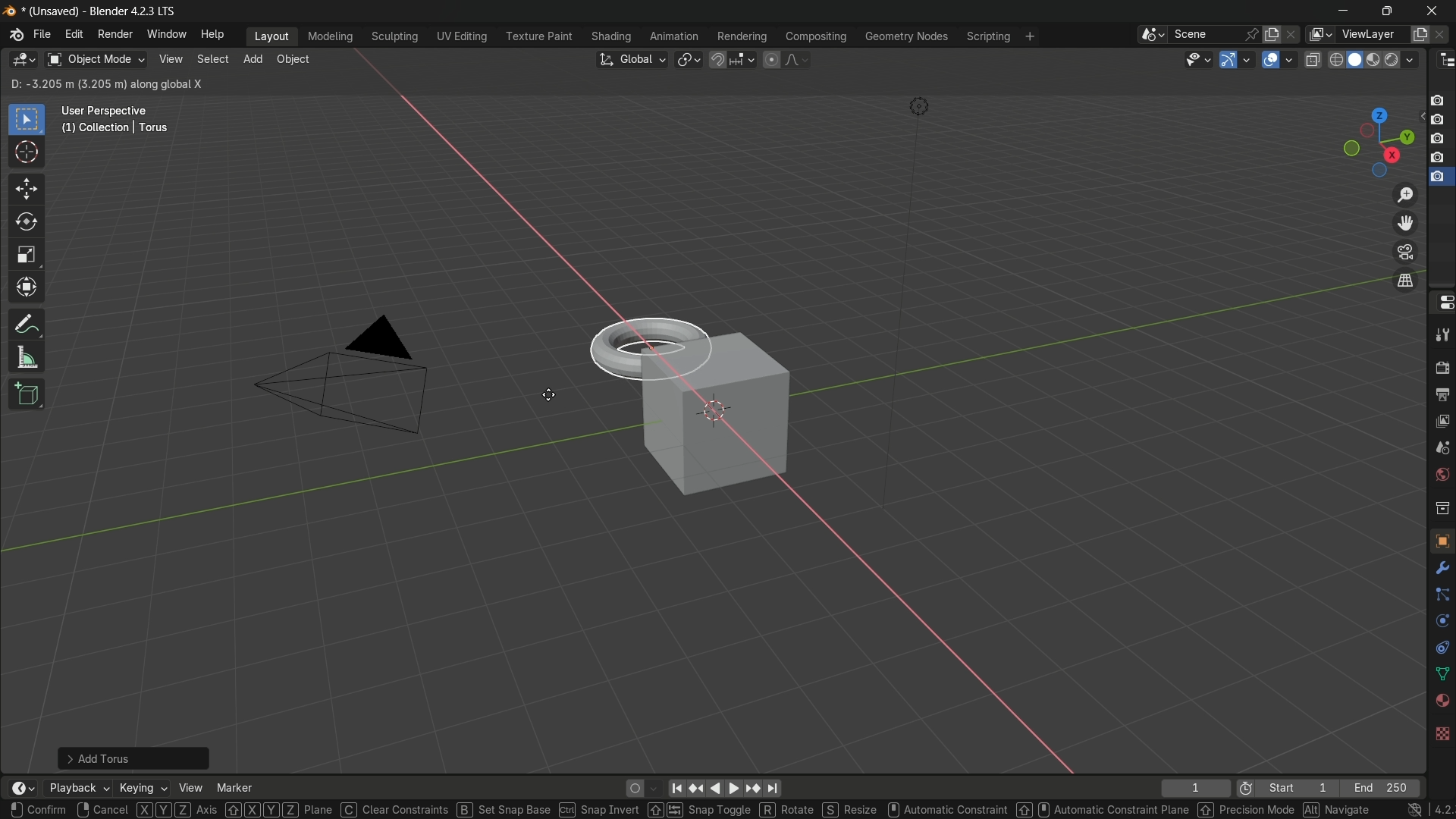 The width and height of the screenshot is (1456, 819). I want to click on particle, so click(1441, 596).